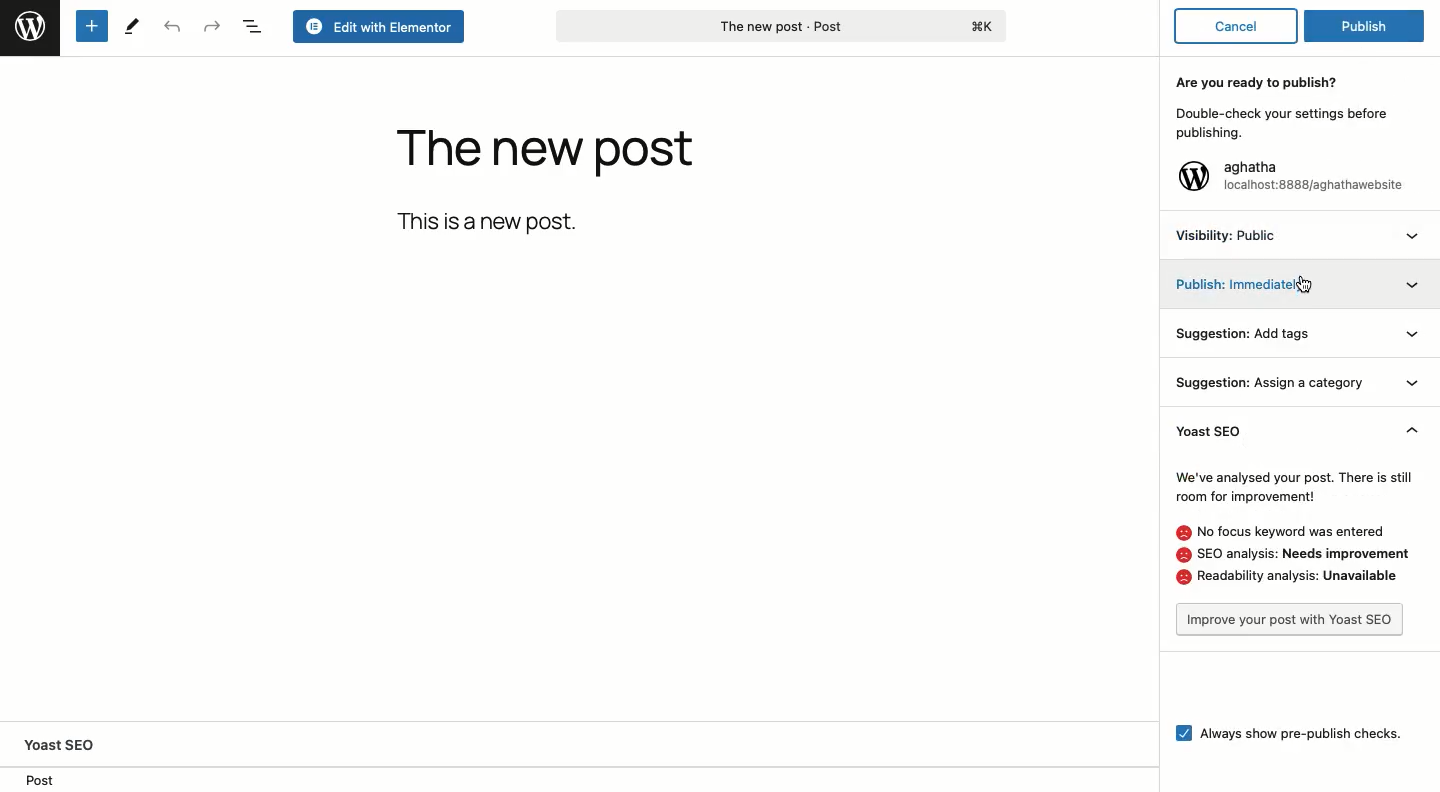 Image resolution: width=1440 pixels, height=792 pixels. I want to click on Cancel, so click(1236, 26).